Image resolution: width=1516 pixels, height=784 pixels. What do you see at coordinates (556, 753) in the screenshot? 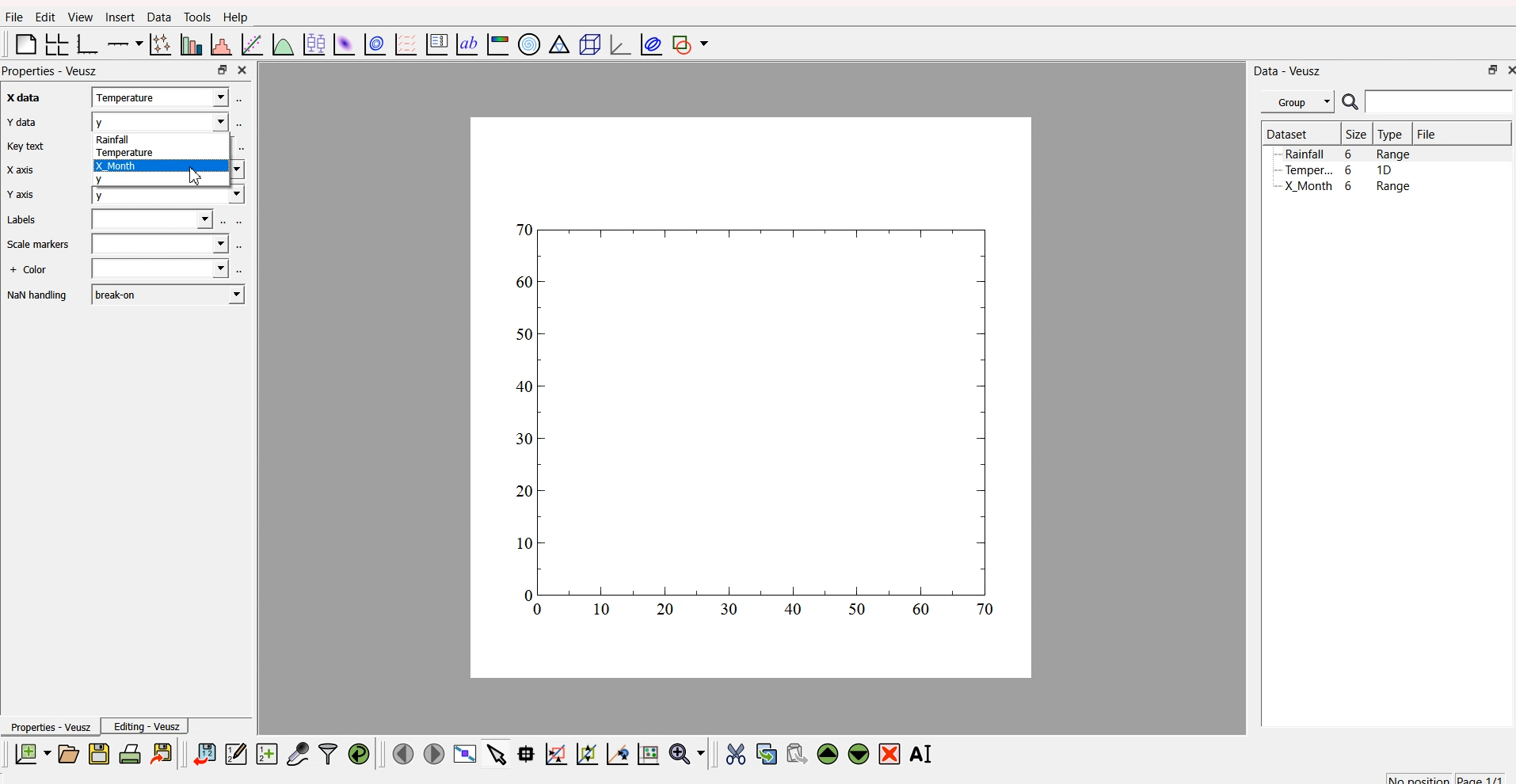
I see `draw rectangle to zoom` at bounding box center [556, 753].